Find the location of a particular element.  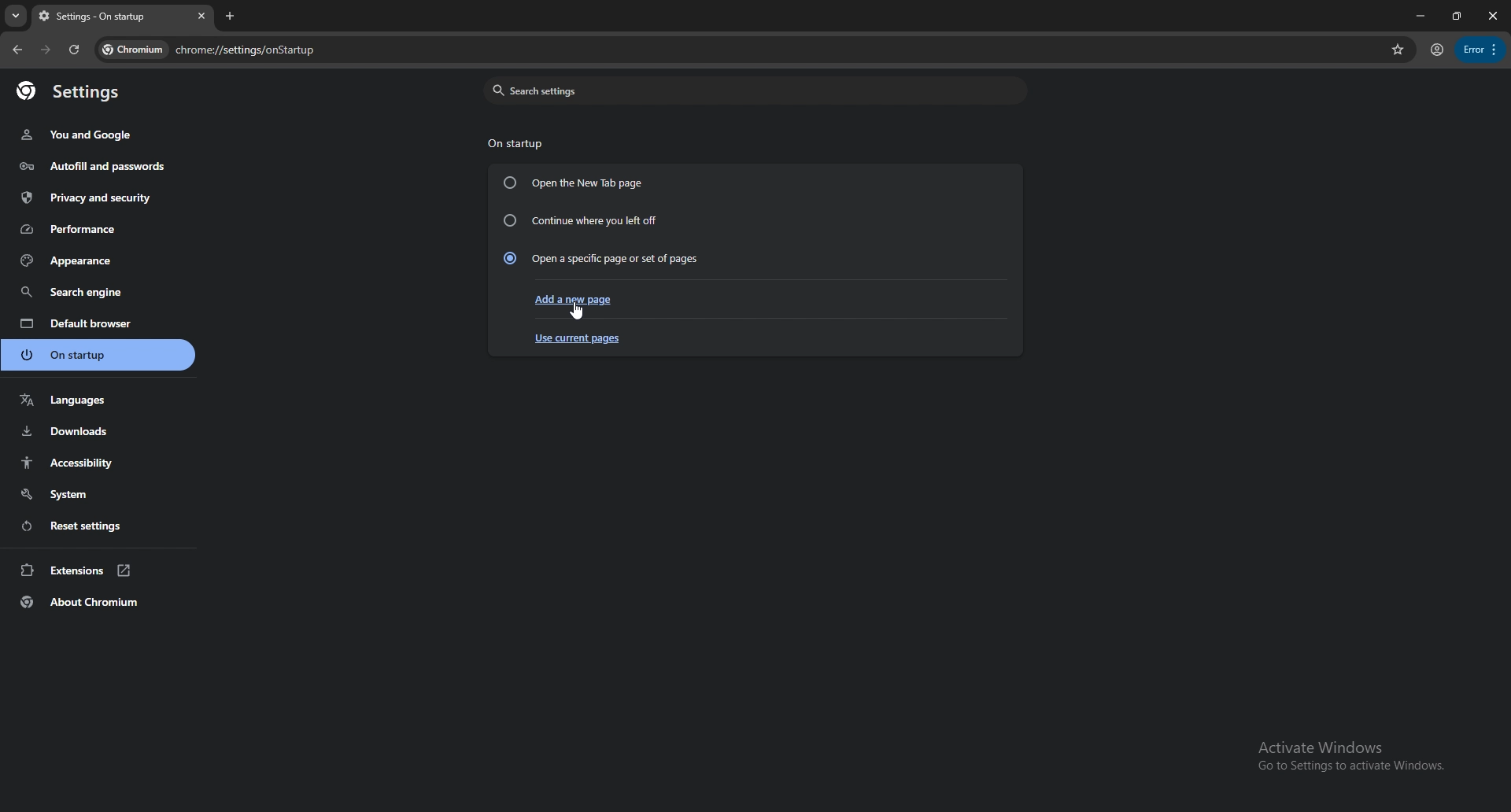

forward is located at coordinates (46, 50).